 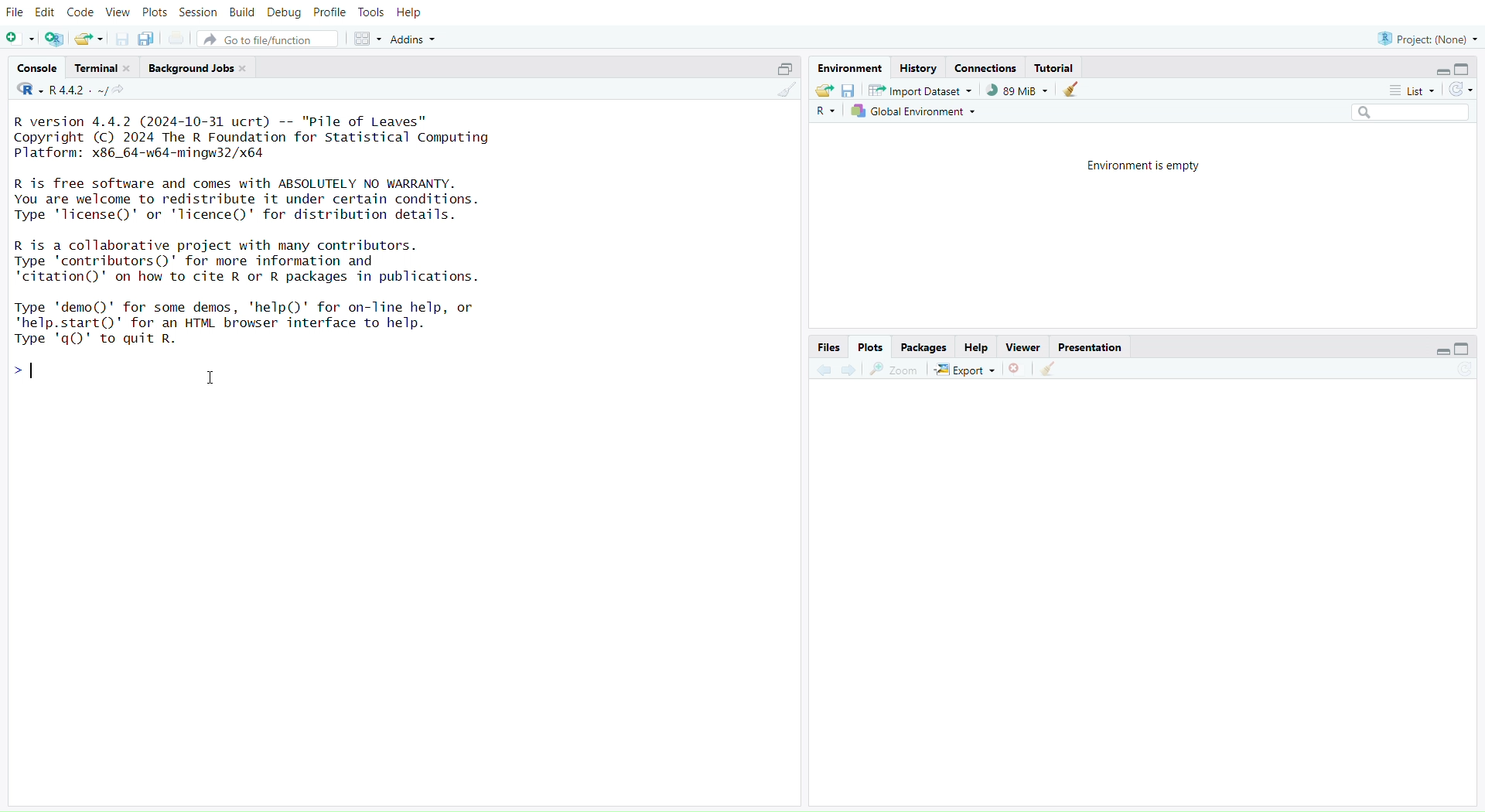 I want to click on Zoom, so click(x=897, y=369).